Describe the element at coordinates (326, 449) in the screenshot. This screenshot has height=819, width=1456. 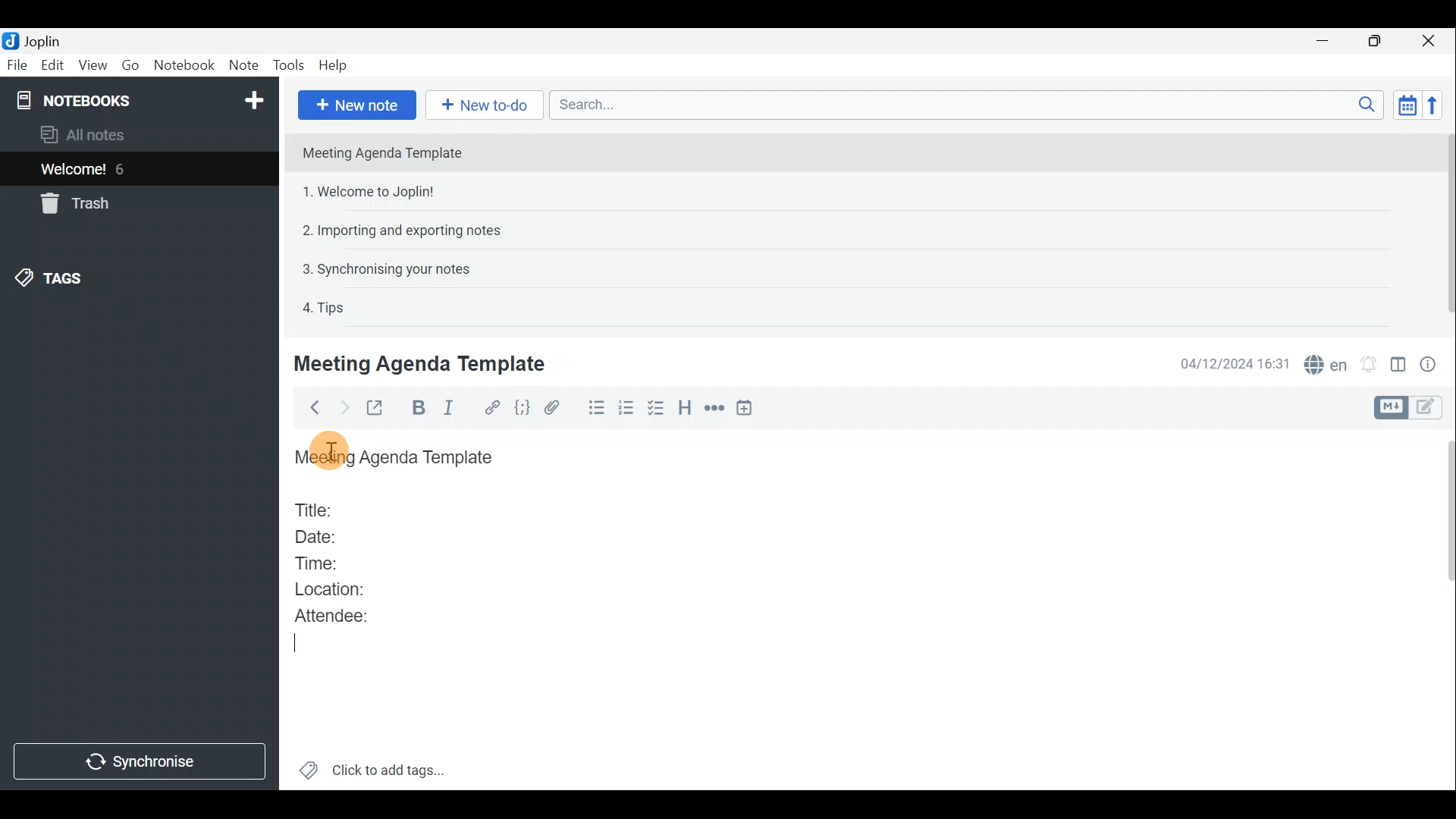
I see `` at that location.